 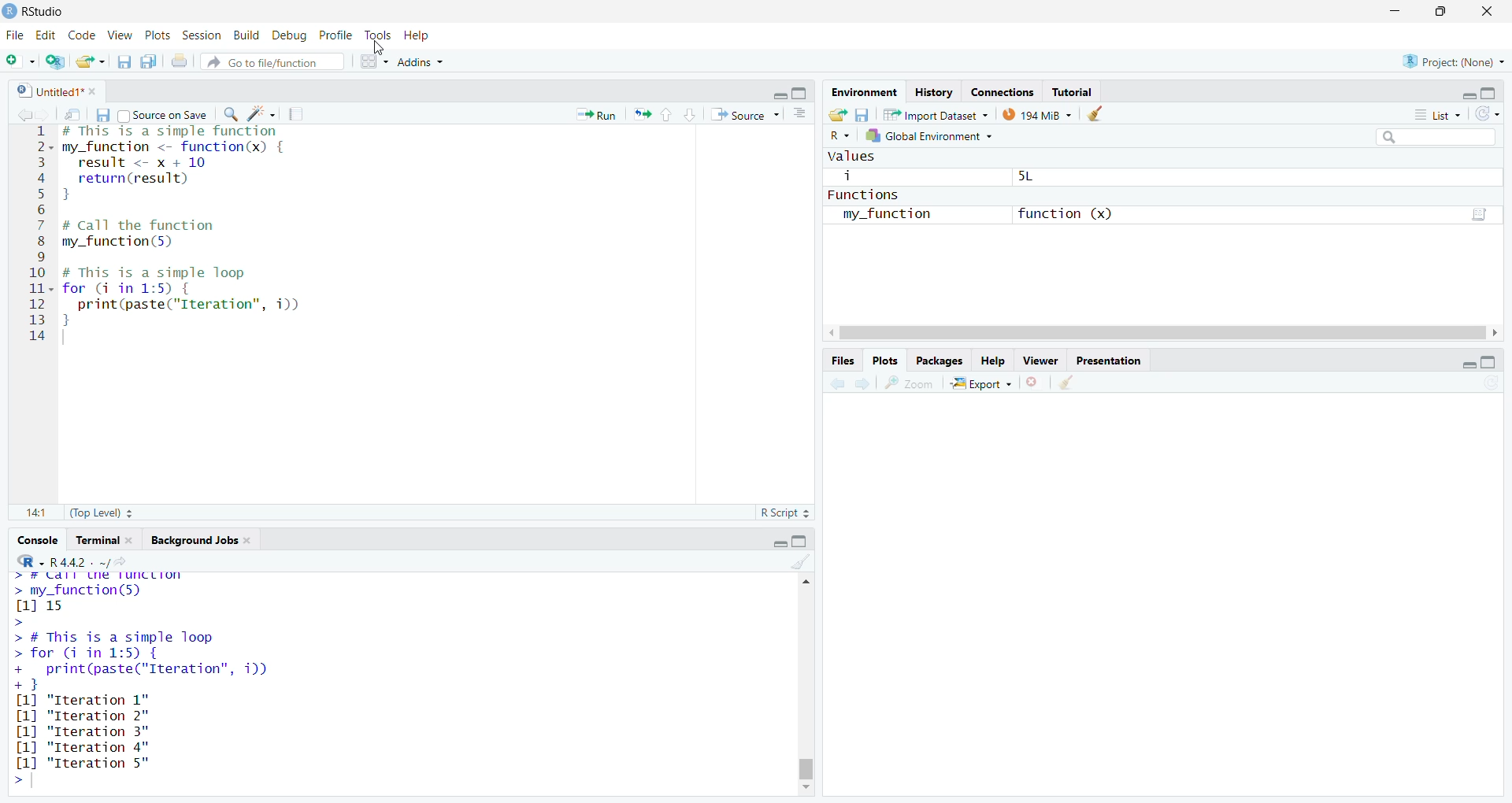 What do you see at coordinates (273, 60) in the screenshot?
I see `go to file/function` at bounding box center [273, 60].